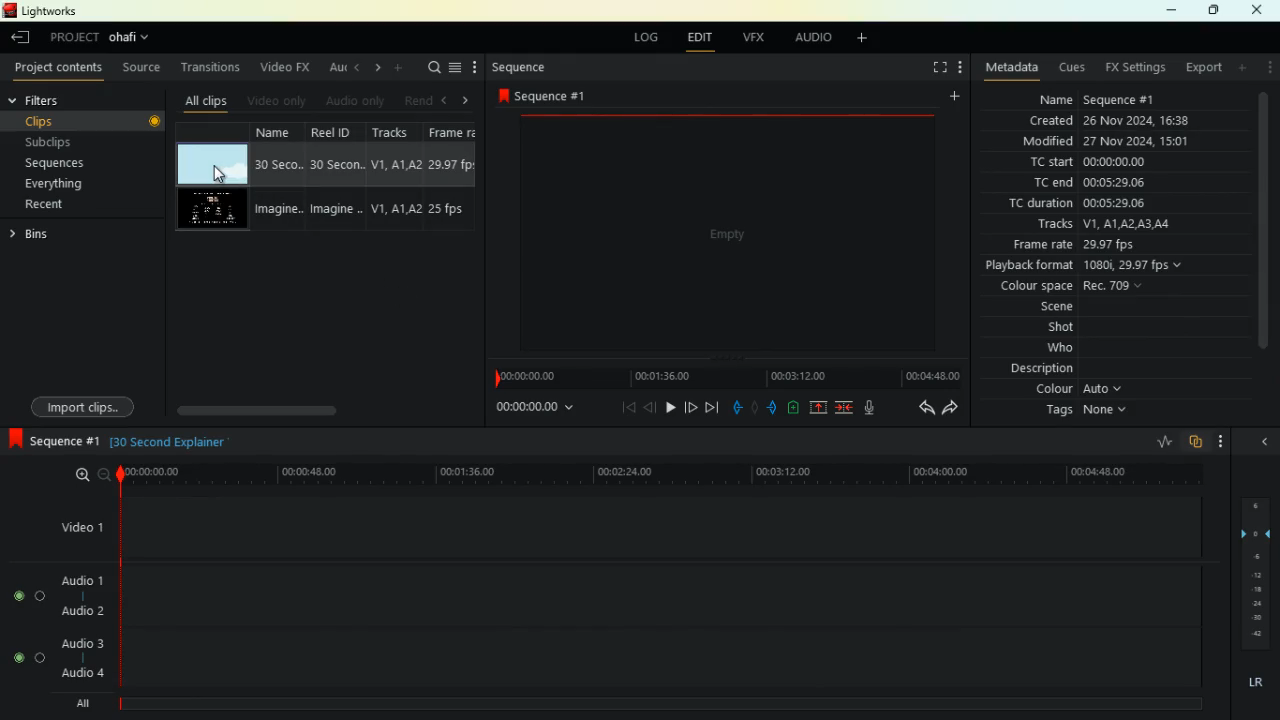 This screenshot has height=720, width=1280. I want to click on name, so click(1094, 101).